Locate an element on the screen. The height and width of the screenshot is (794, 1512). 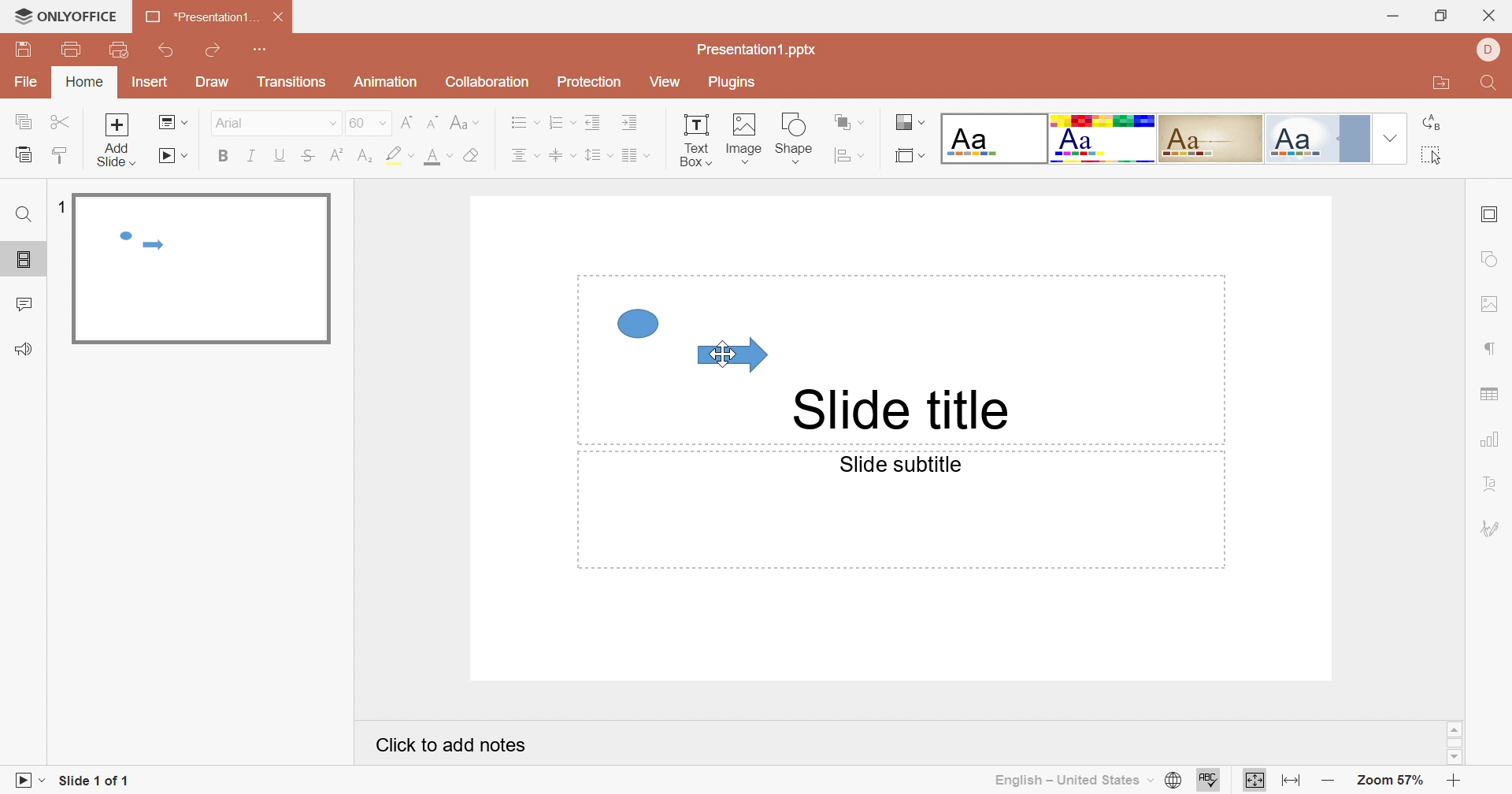
Undo is located at coordinates (167, 53).